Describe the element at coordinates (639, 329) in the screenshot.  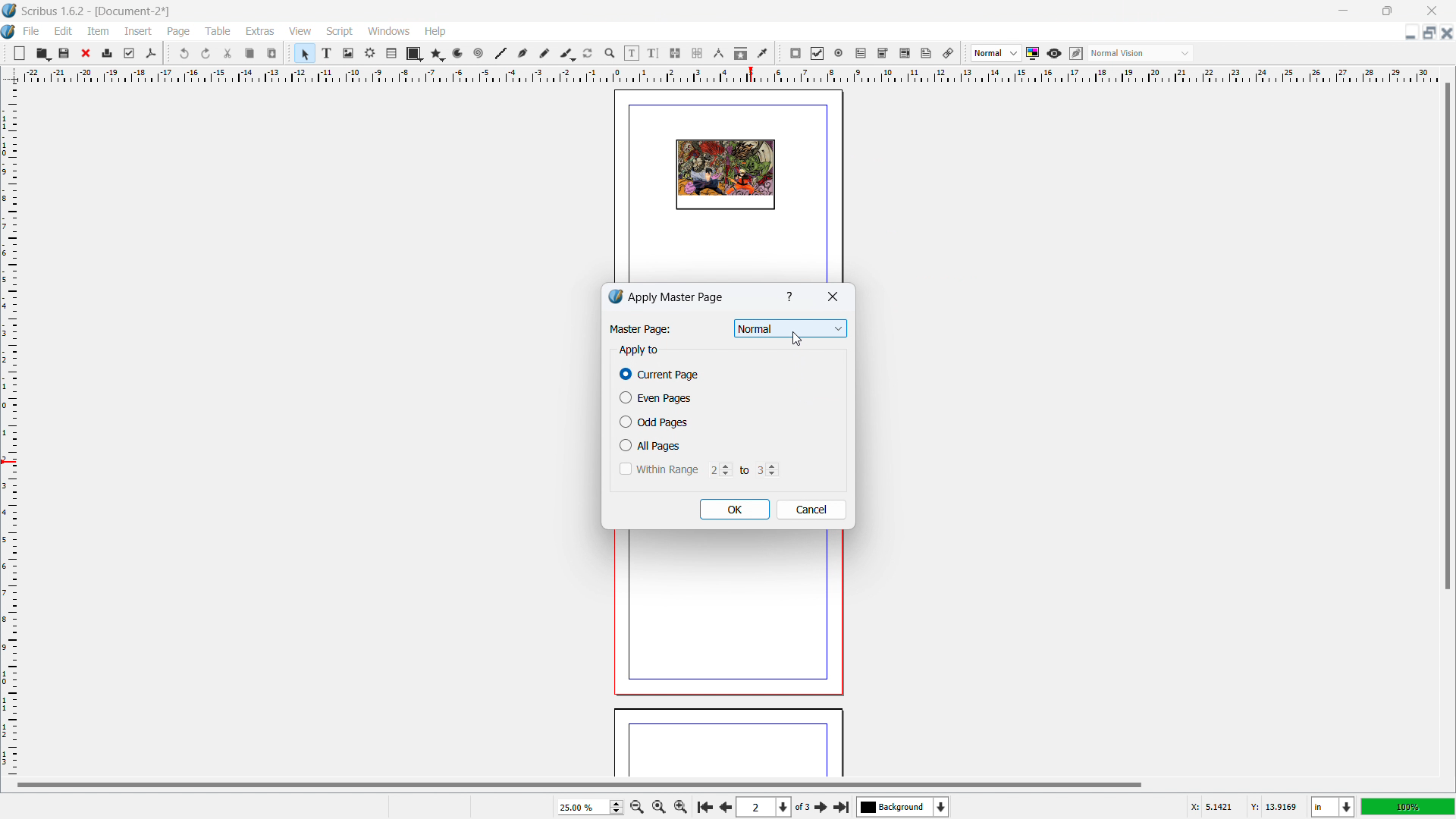
I see `Master Page` at that location.